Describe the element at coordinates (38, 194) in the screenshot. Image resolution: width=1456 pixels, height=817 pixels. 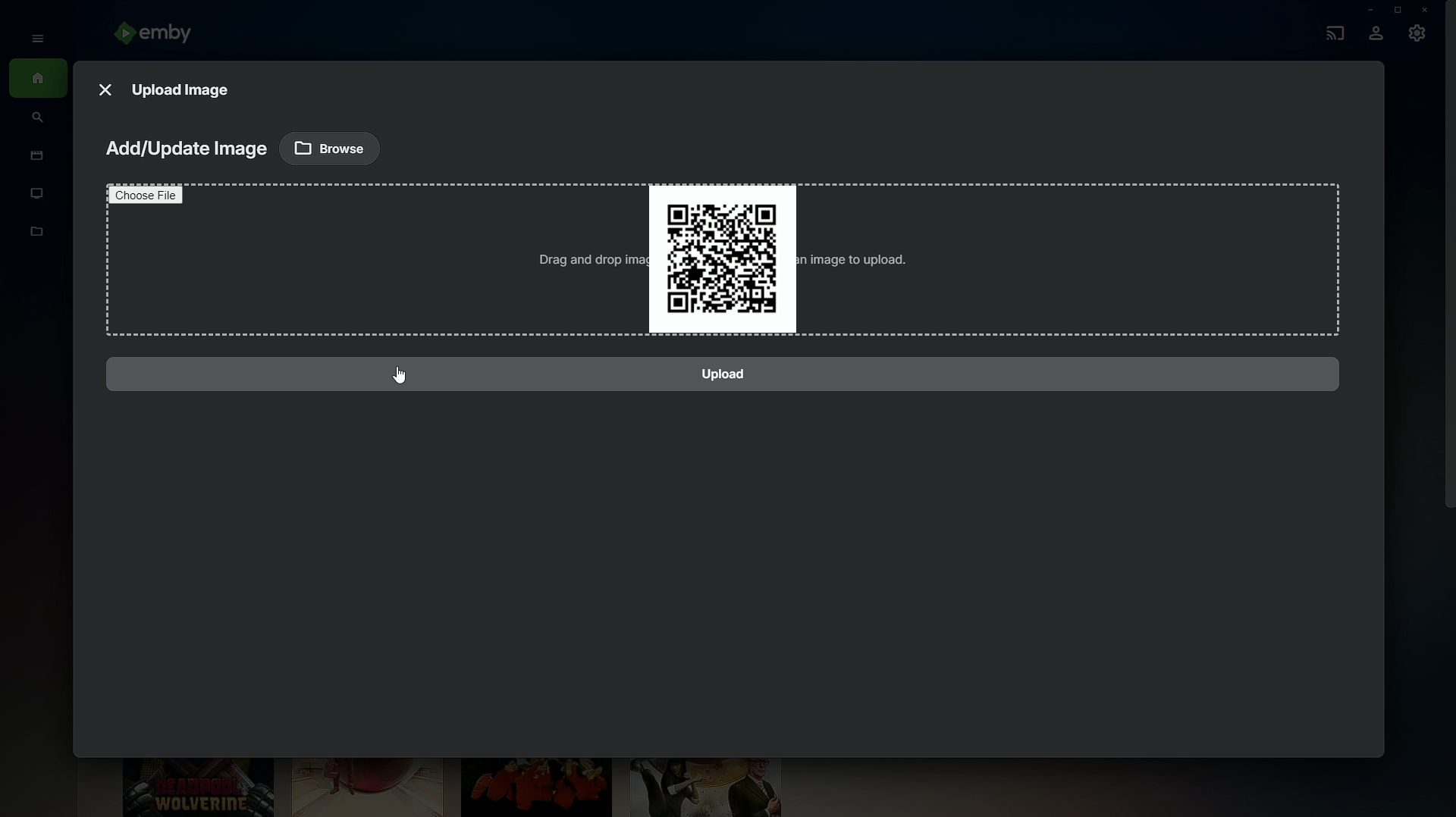
I see `TV Shows` at that location.